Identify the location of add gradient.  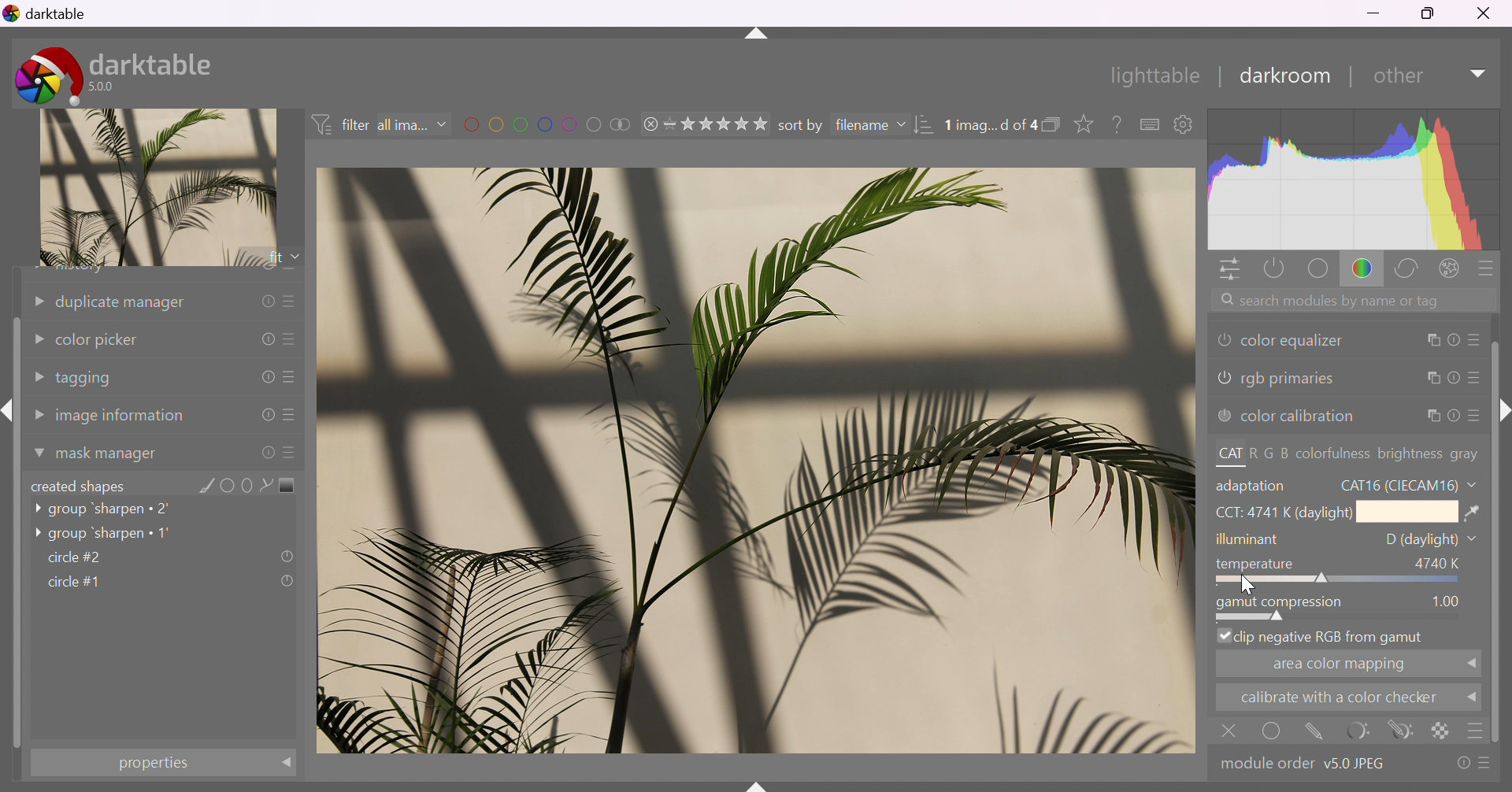
(291, 486).